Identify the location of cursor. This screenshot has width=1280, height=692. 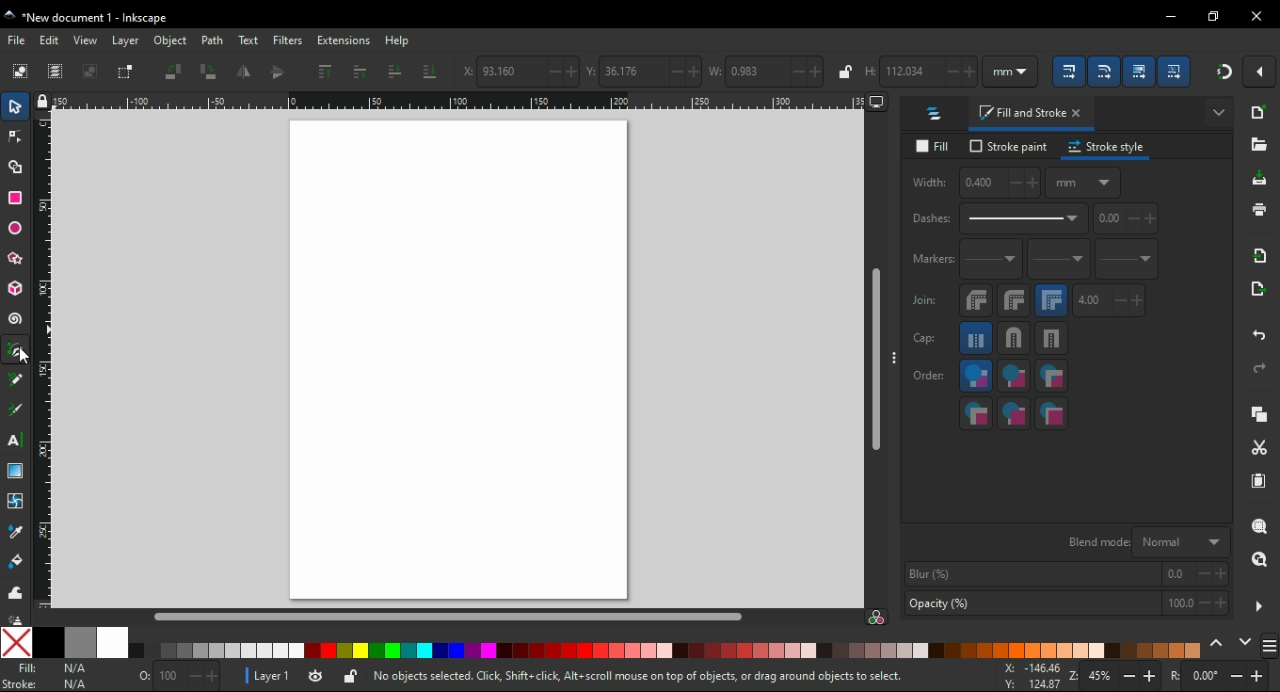
(33, 361).